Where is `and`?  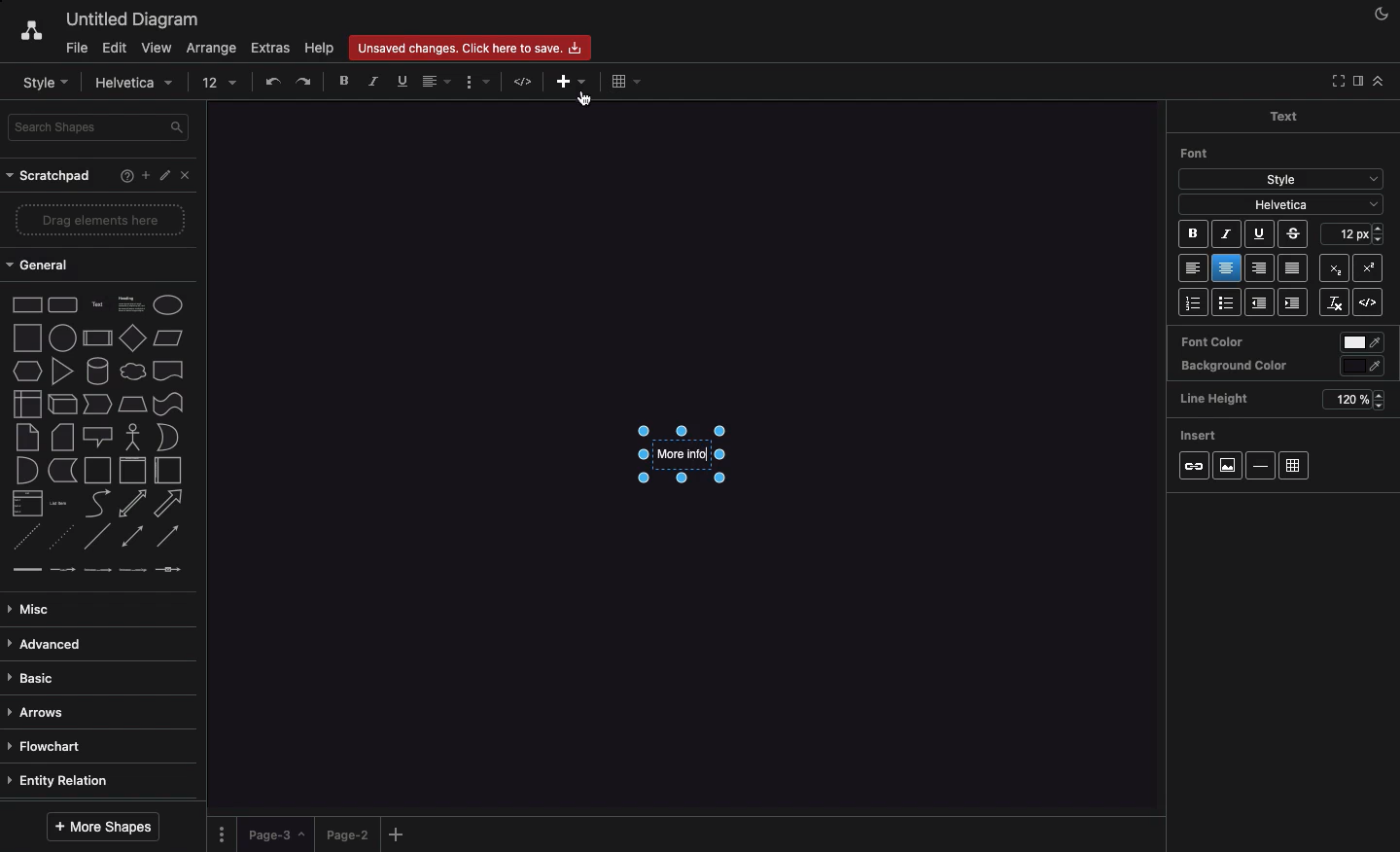 and is located at coordinates (28, 471).